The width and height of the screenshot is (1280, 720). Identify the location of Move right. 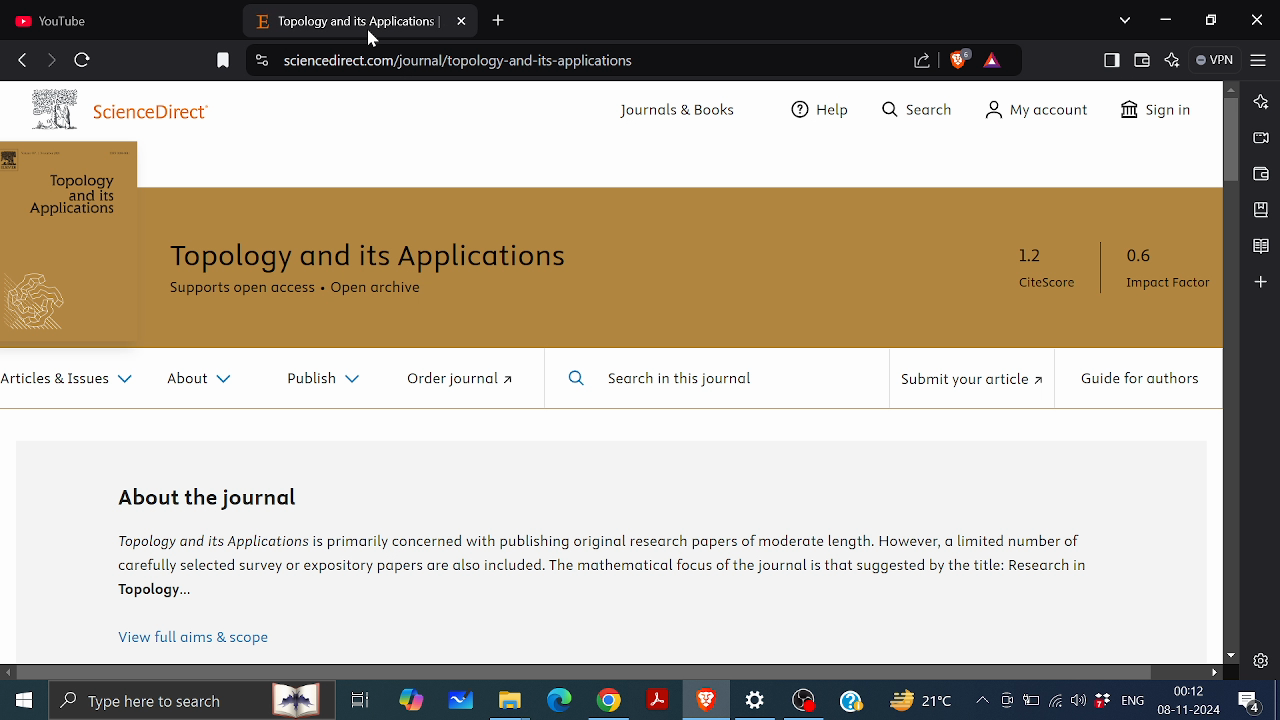
(1213, 672).